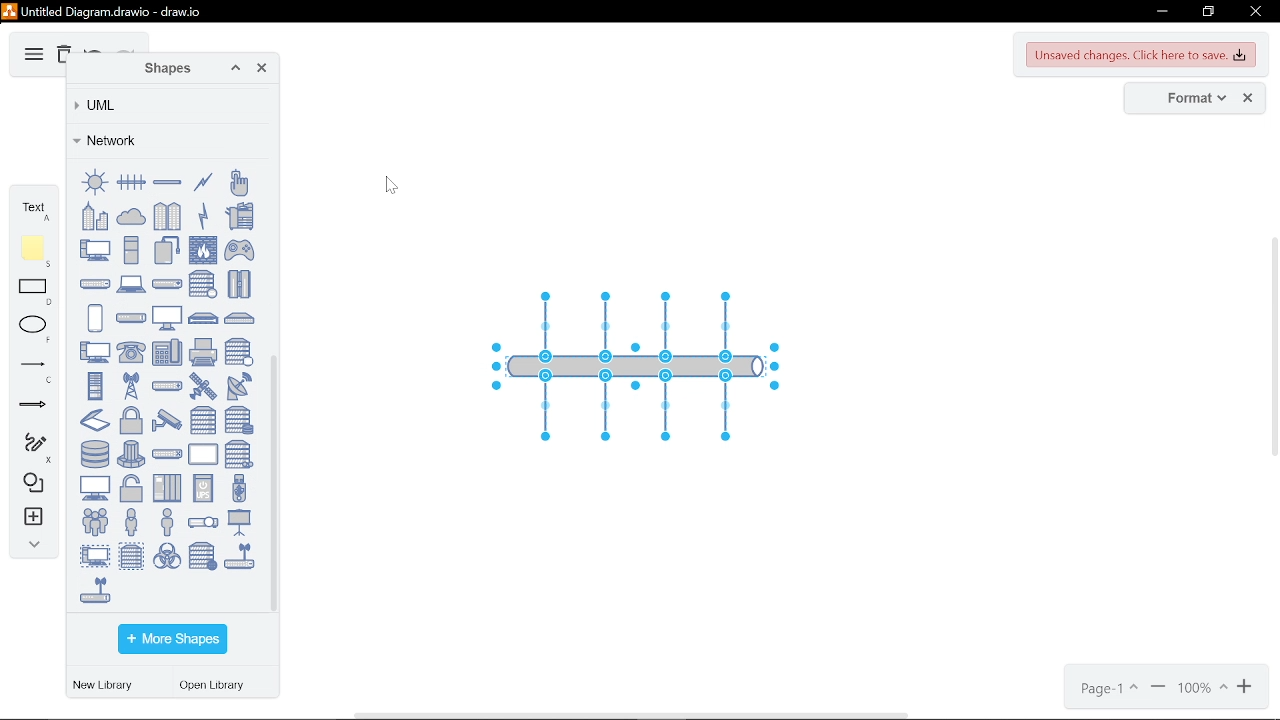 This screenshot has width=1280, height=720. I want to click on user male, so click(167, 521).